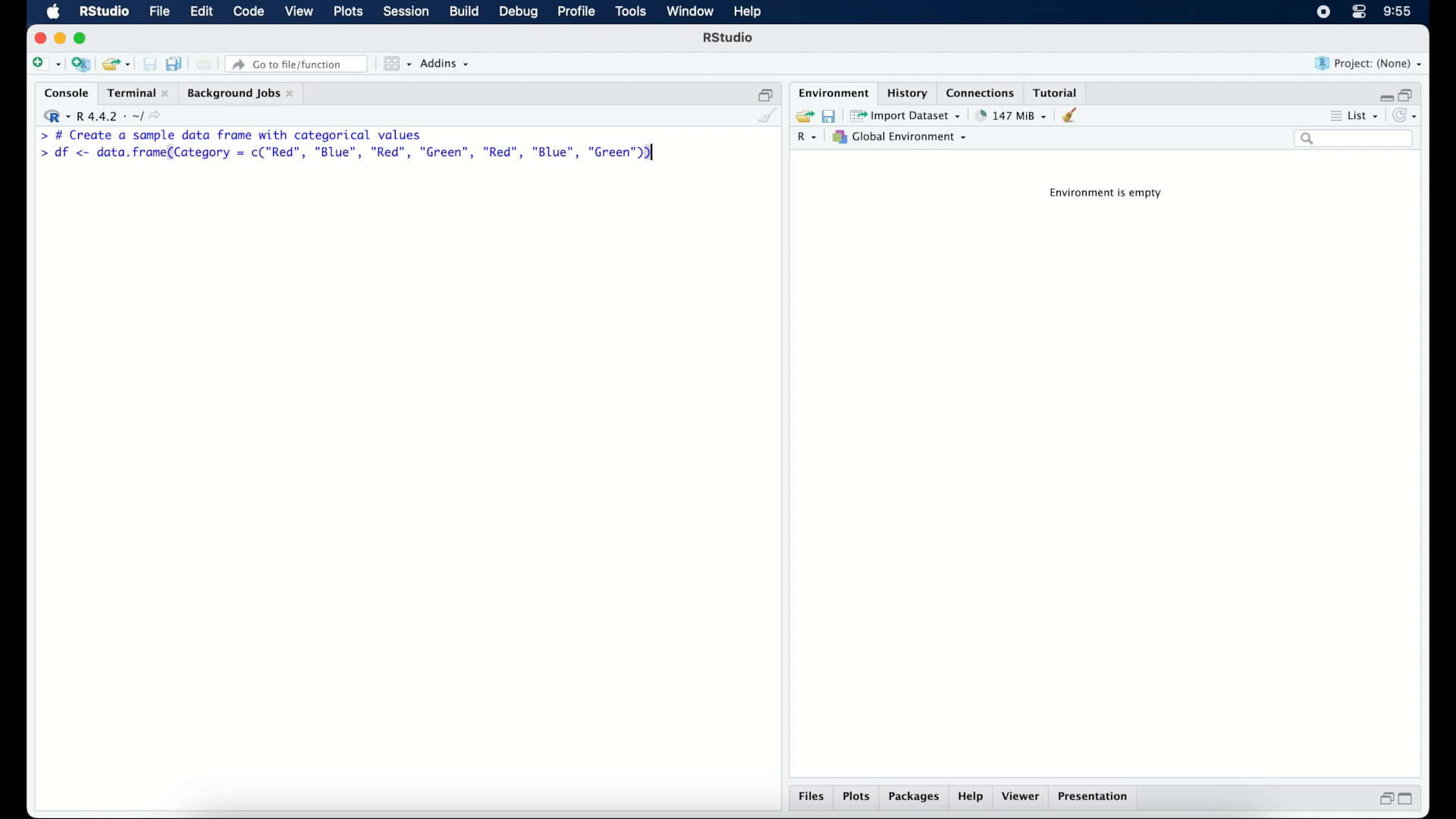 The height and width of the screenshot is (819, 1456). Describe the element at coordinates (202, 12) in the screenshot. I see `edit` at that location.